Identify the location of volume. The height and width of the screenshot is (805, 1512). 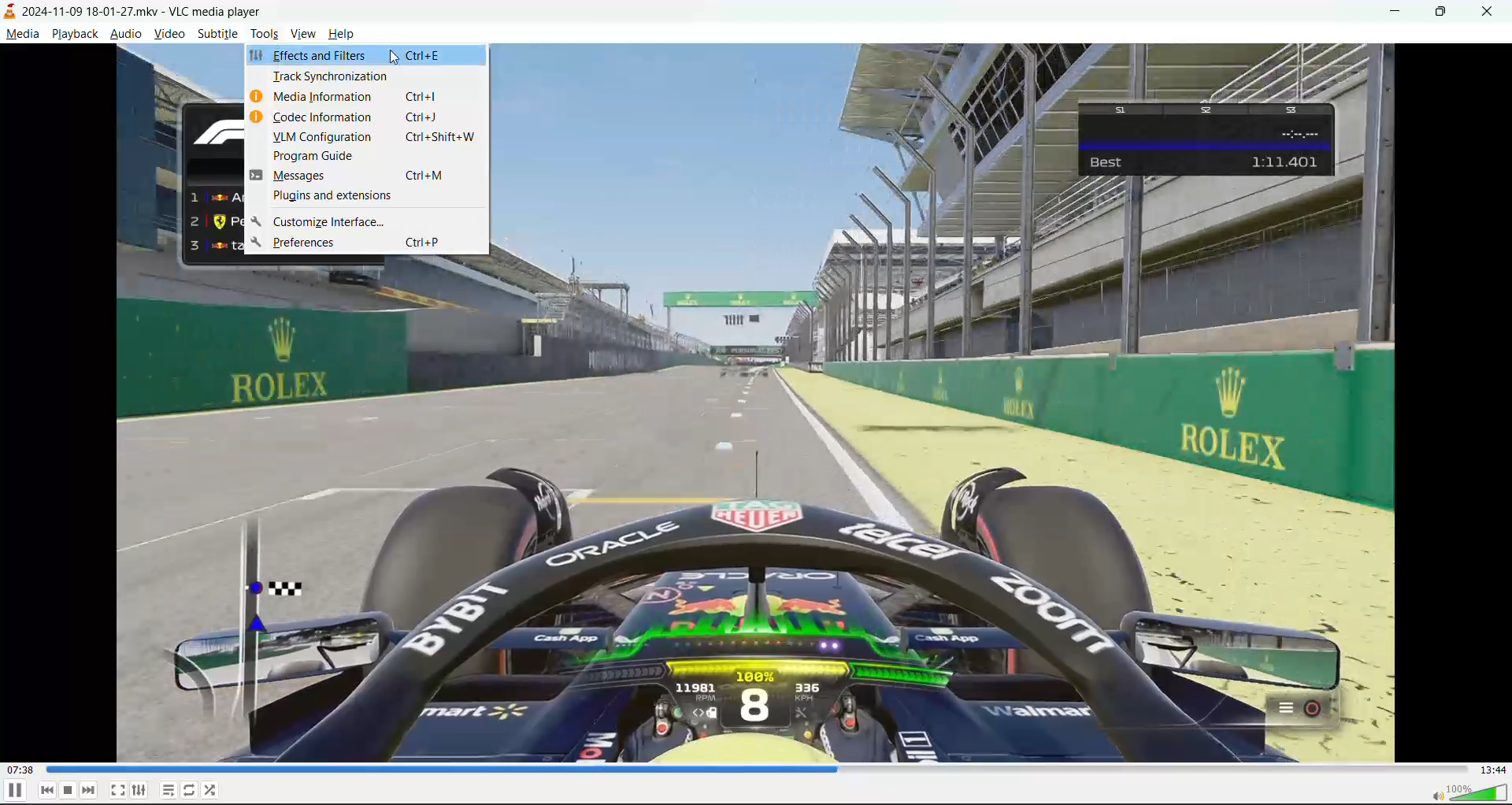
(1468, 792).